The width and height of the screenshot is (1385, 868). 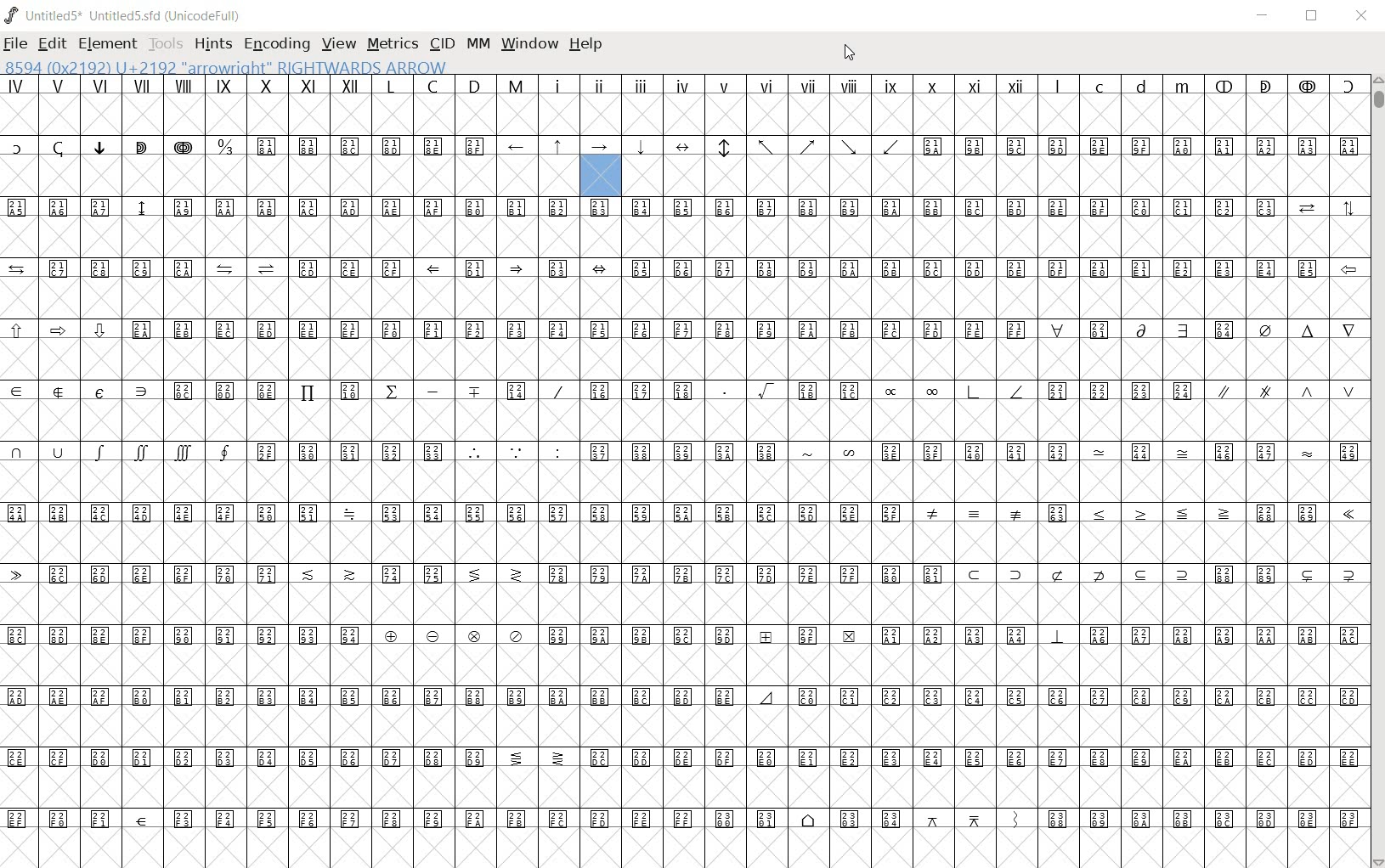 I want to click on 8594 (0x2192) U+2192 "arrowright" RIGHTWARDS ARROW, so click(x=601, y=166).